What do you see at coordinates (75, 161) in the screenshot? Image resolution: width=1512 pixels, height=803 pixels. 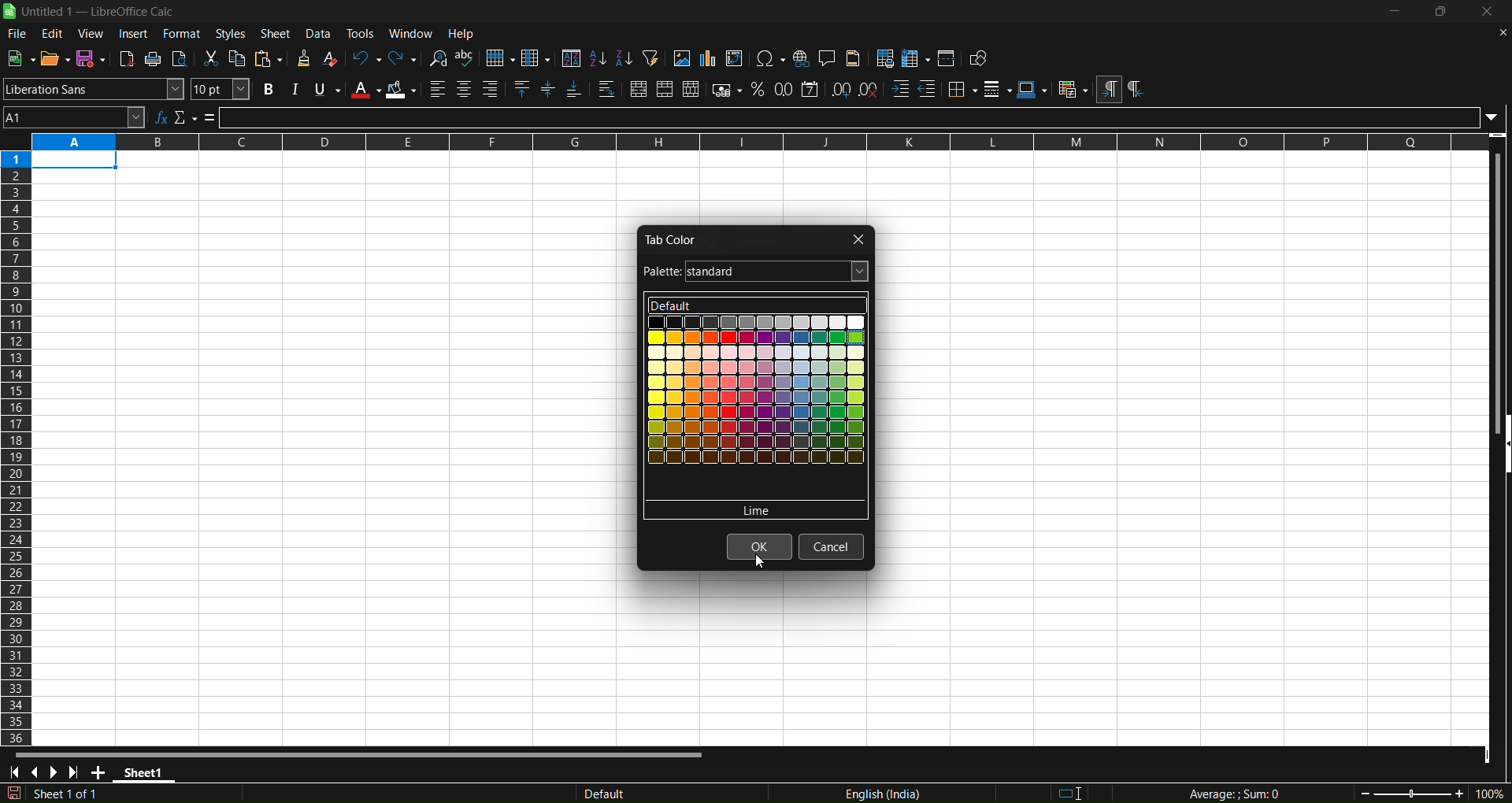 I see `selected cells` at bounding box center [75, 161].